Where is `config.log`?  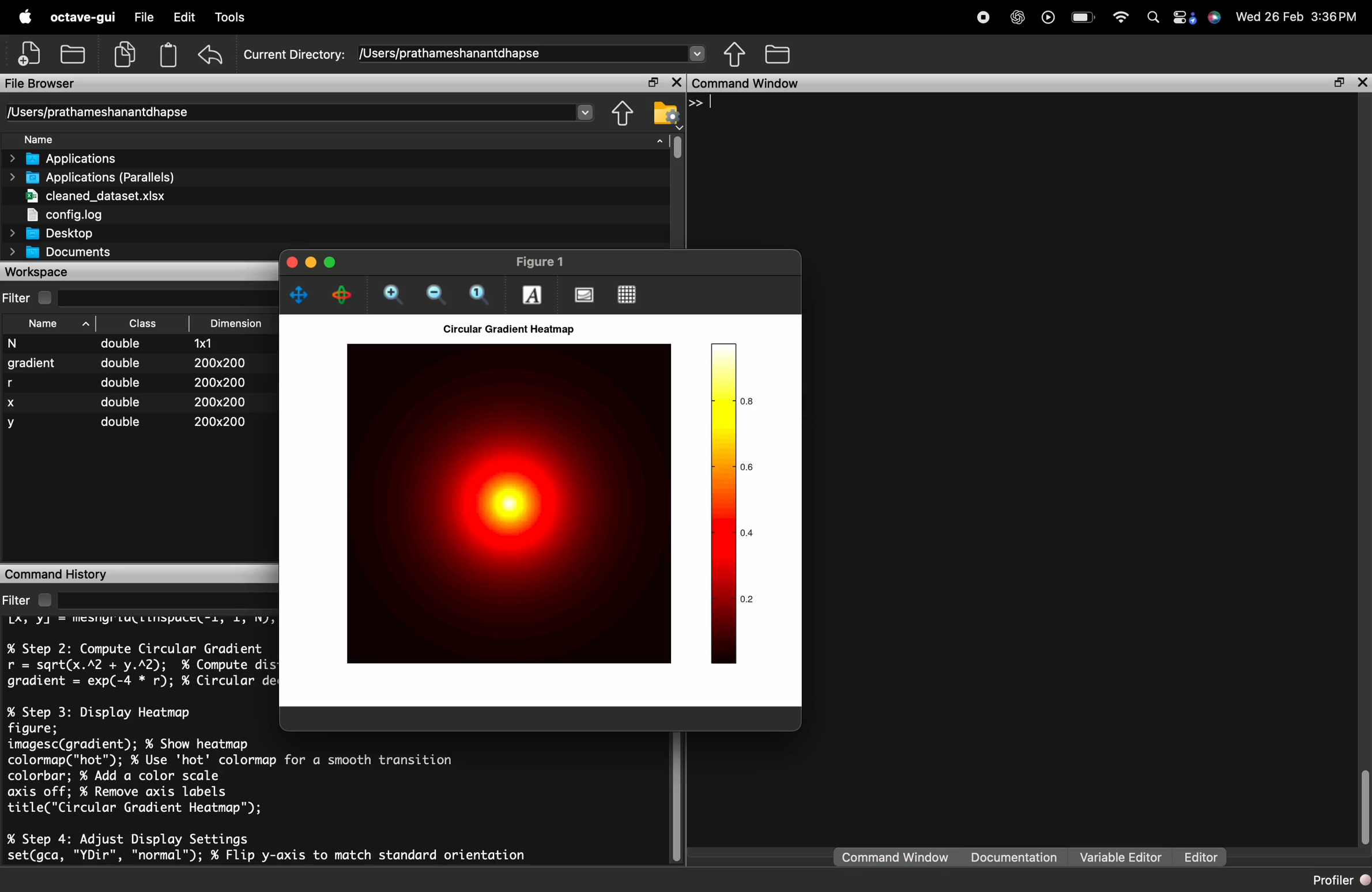
config.log is located at coordinates (64, 216).